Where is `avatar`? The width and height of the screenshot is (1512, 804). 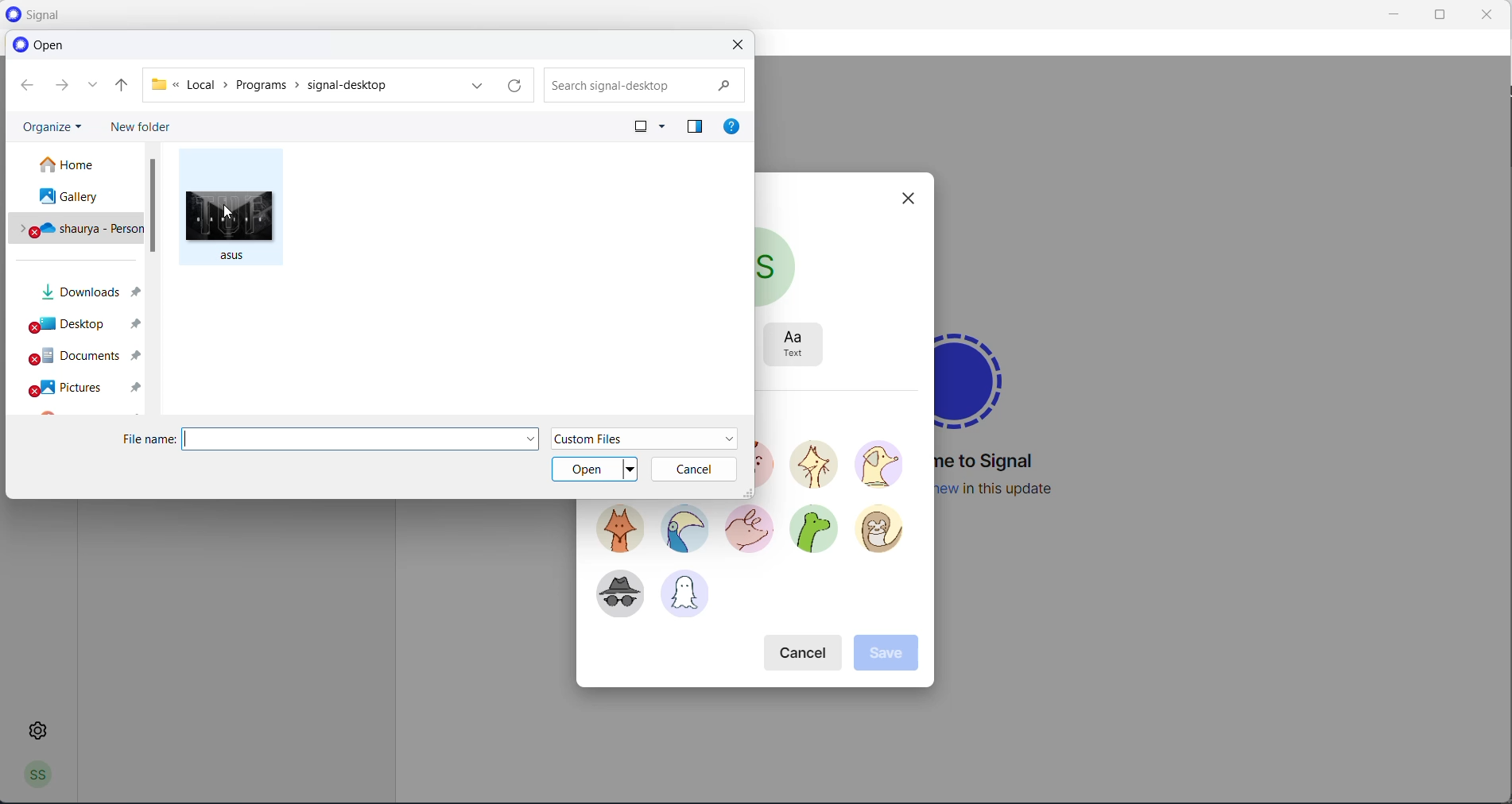 avatar is located at coordinates (749, 531).